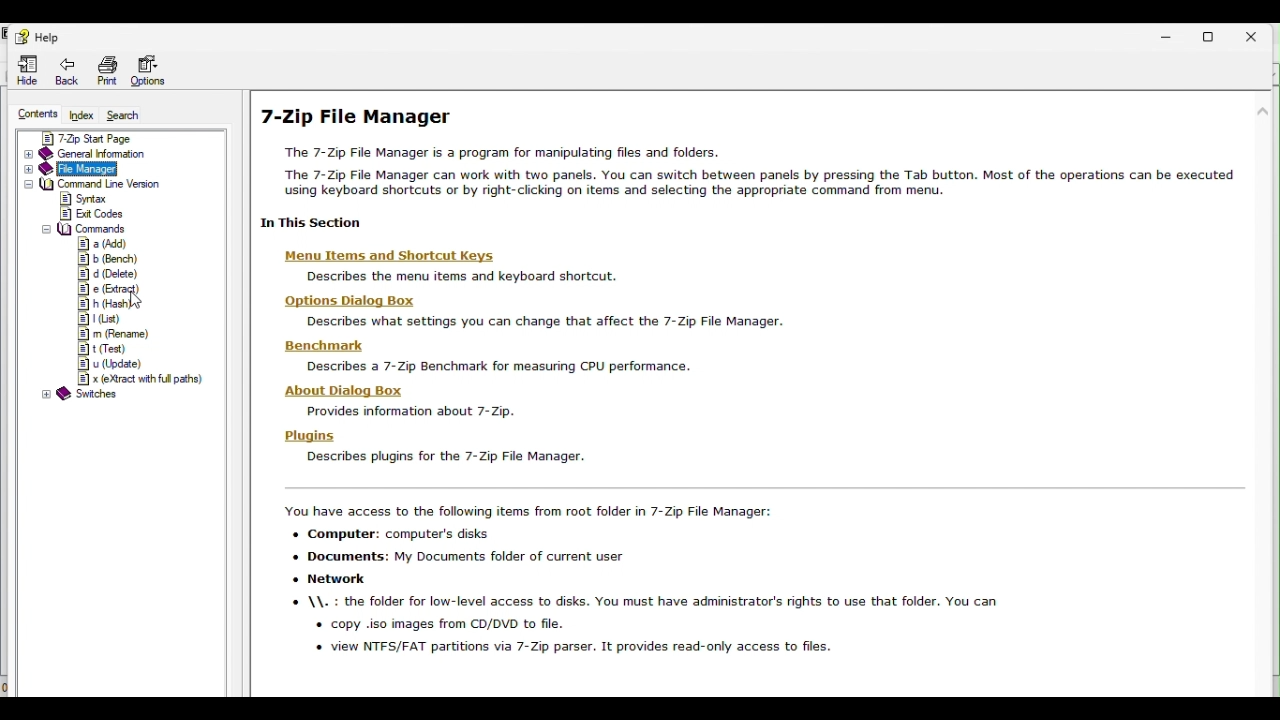  What do you see at coordinates (689, 587) in the screenshot?
I see `7 zip file manager access items` at bounding box center [689, 587].